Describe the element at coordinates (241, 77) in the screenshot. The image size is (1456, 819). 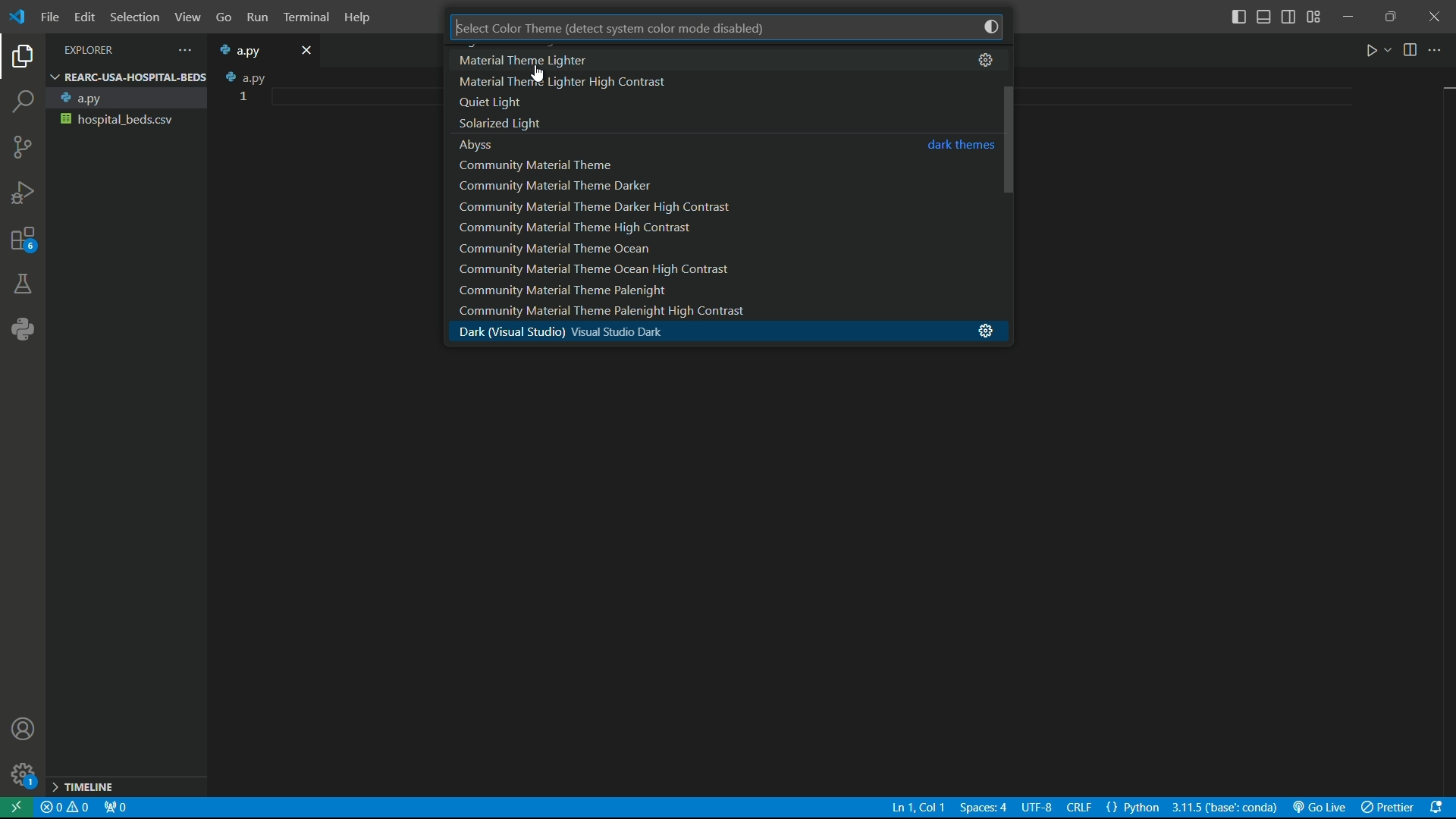
I see `a.py` at that location.